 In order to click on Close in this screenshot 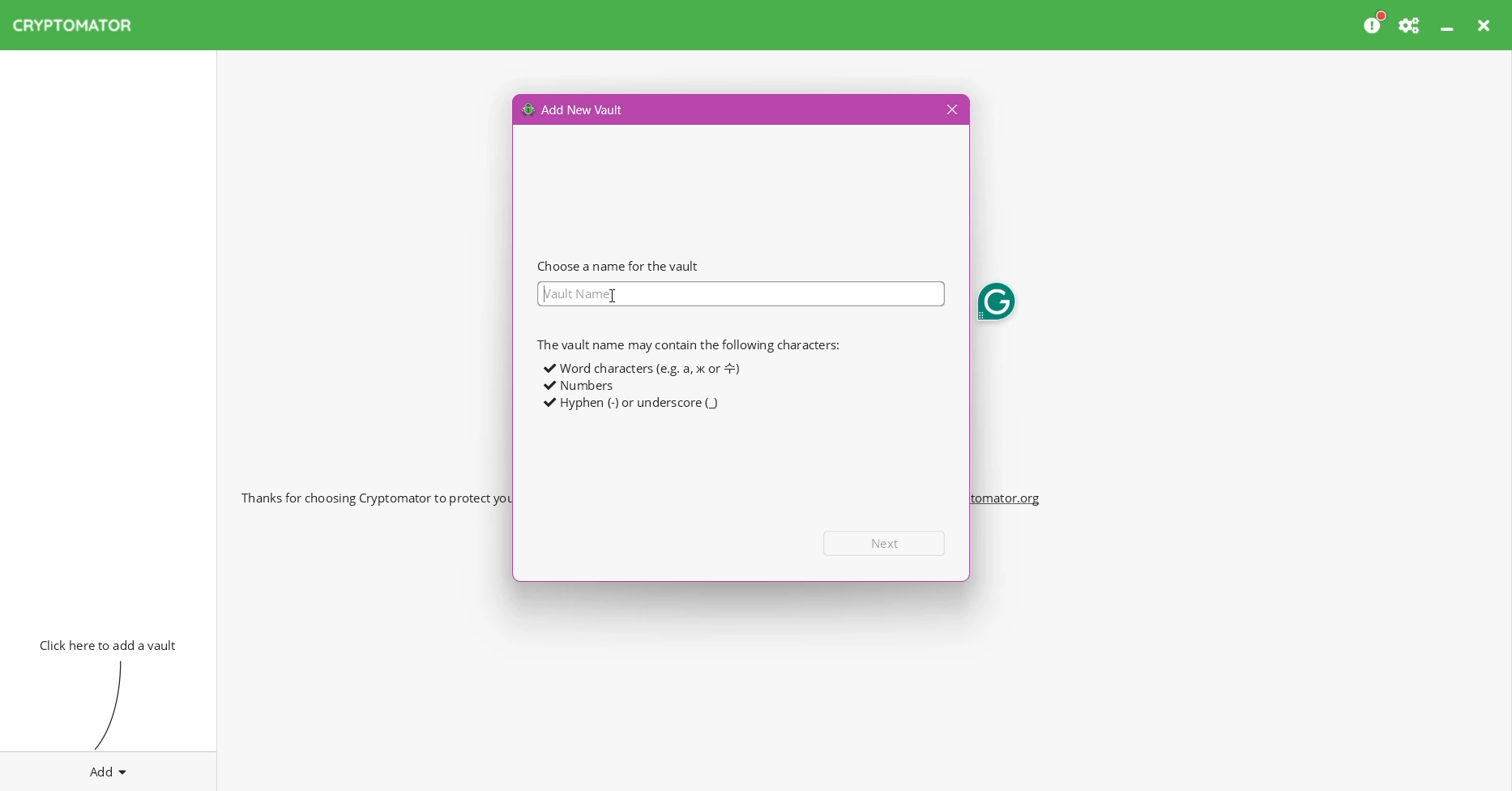, I will do `click(950, 110)`.